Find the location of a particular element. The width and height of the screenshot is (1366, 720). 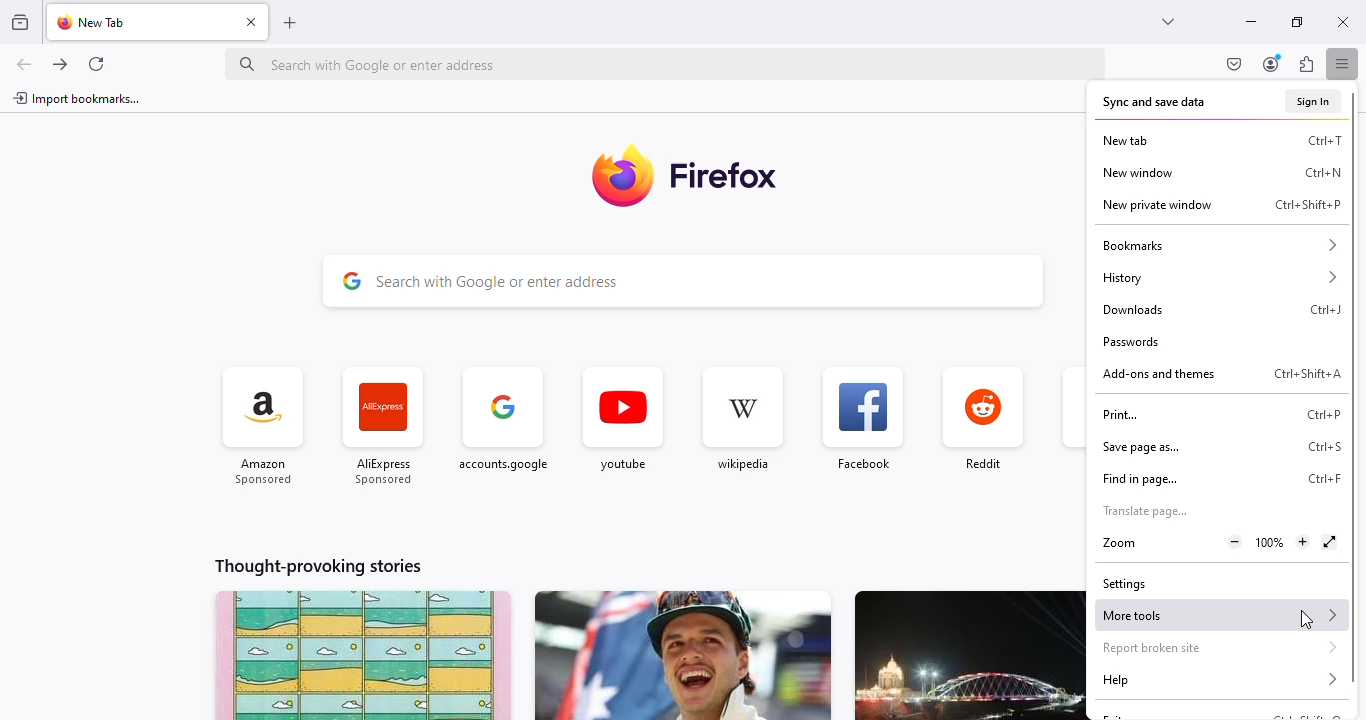

story is located at coordinates (682, 655).